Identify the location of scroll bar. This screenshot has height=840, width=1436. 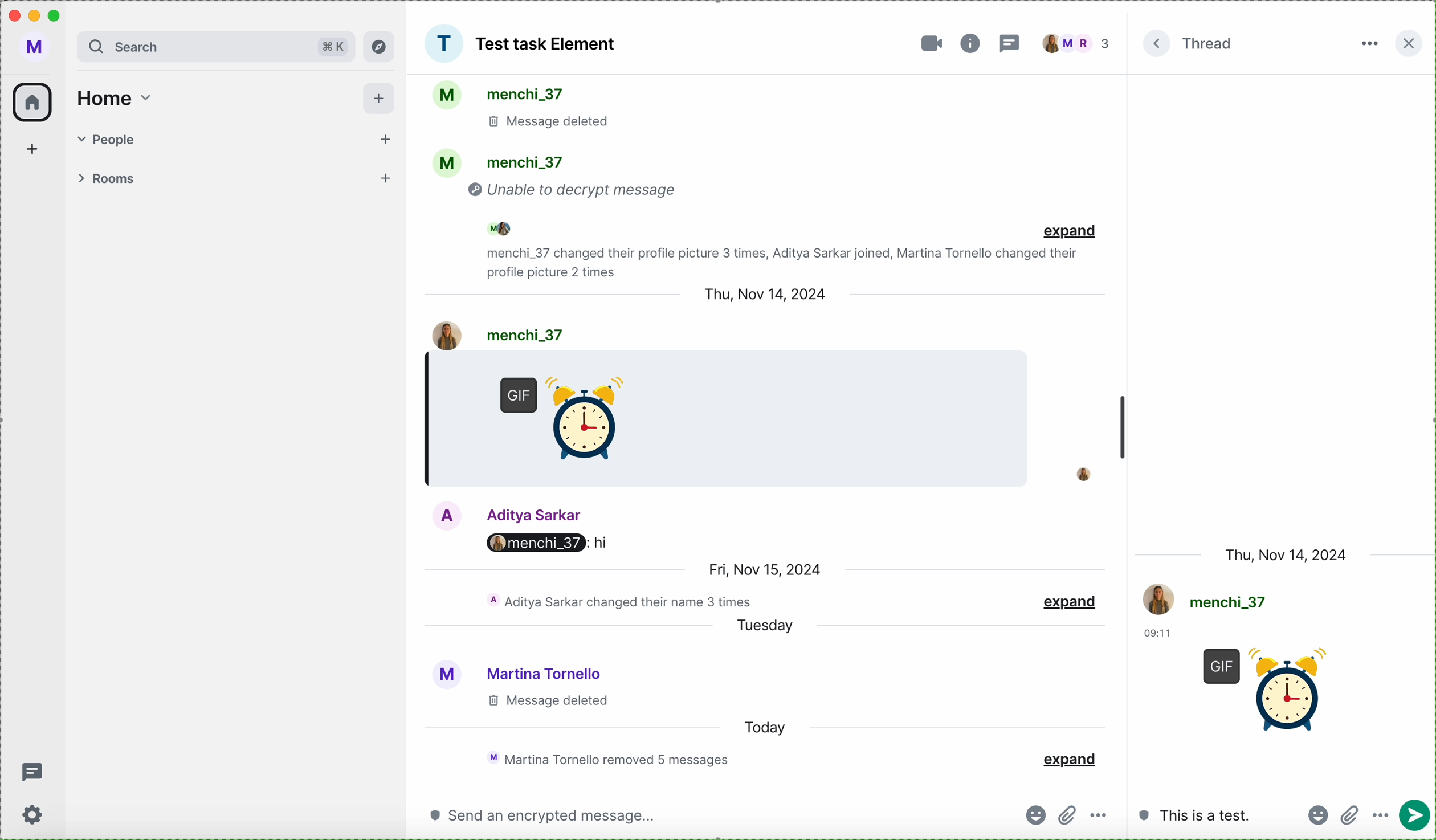
(1123, 431).